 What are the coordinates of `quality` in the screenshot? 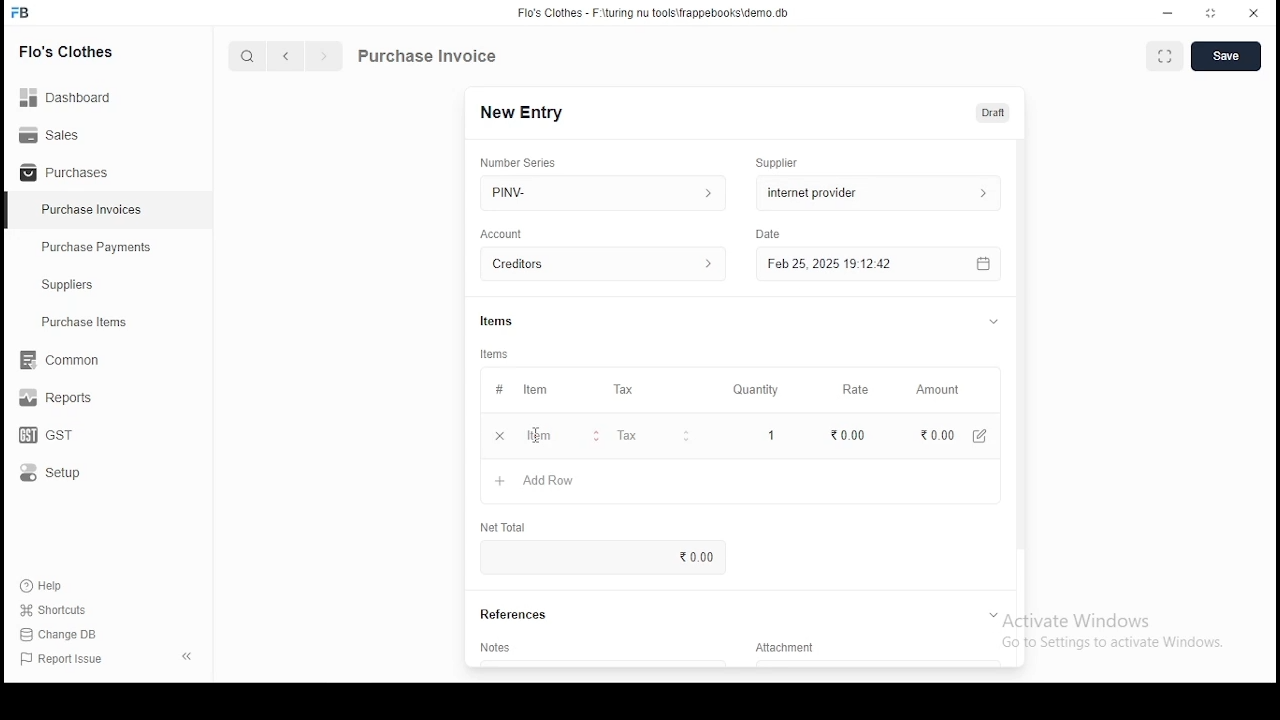 It's located at (756, 390).